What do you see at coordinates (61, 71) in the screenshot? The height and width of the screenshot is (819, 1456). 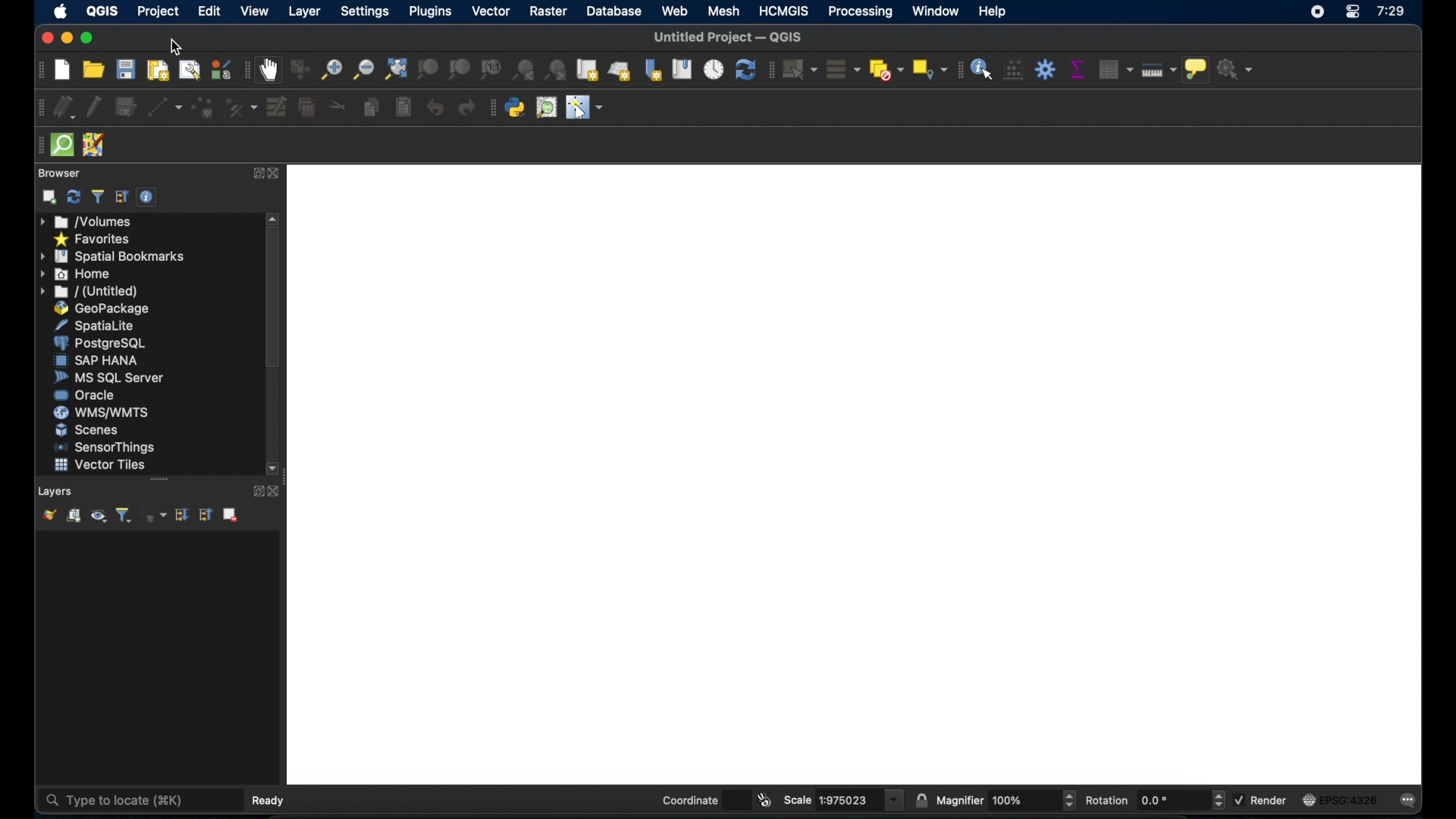 I see `new project` at bounding box center [61, 71].